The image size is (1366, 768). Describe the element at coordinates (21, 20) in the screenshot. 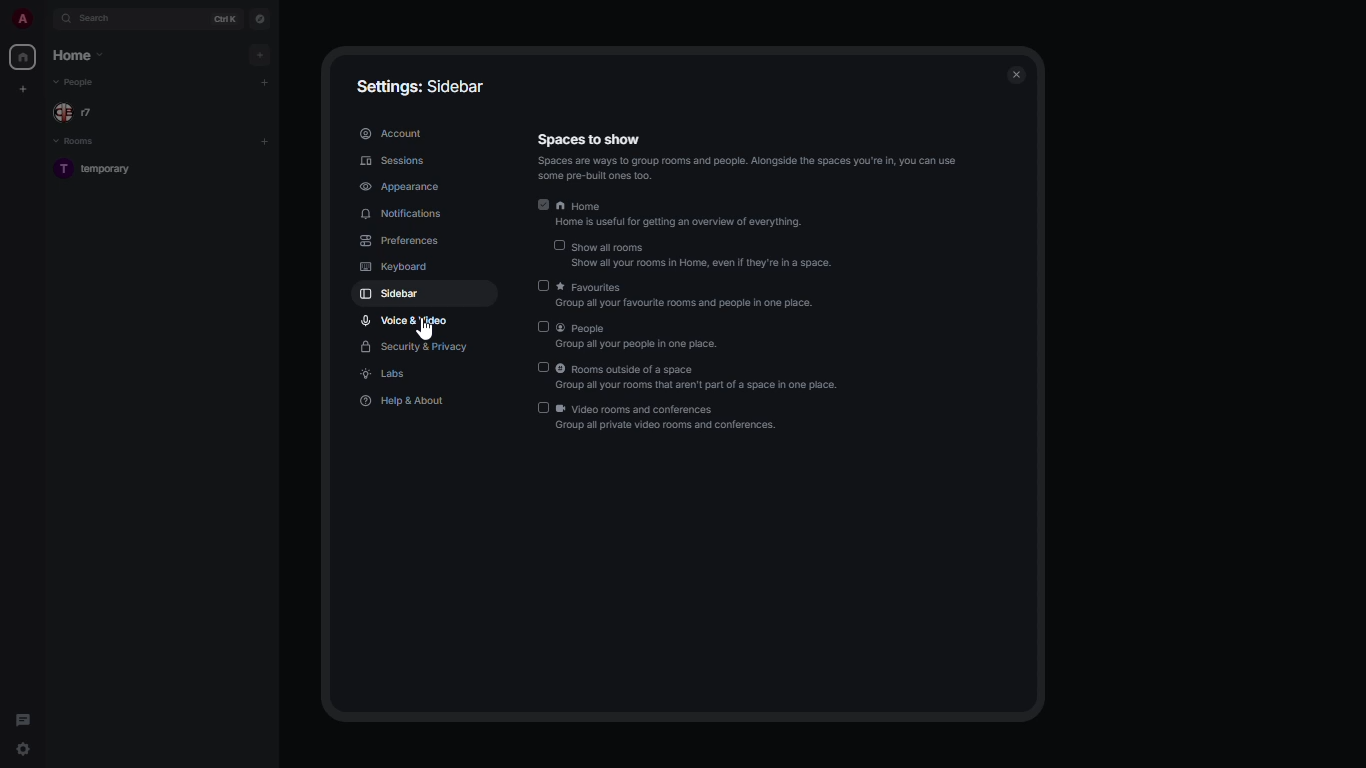

I see `profile` at that location.